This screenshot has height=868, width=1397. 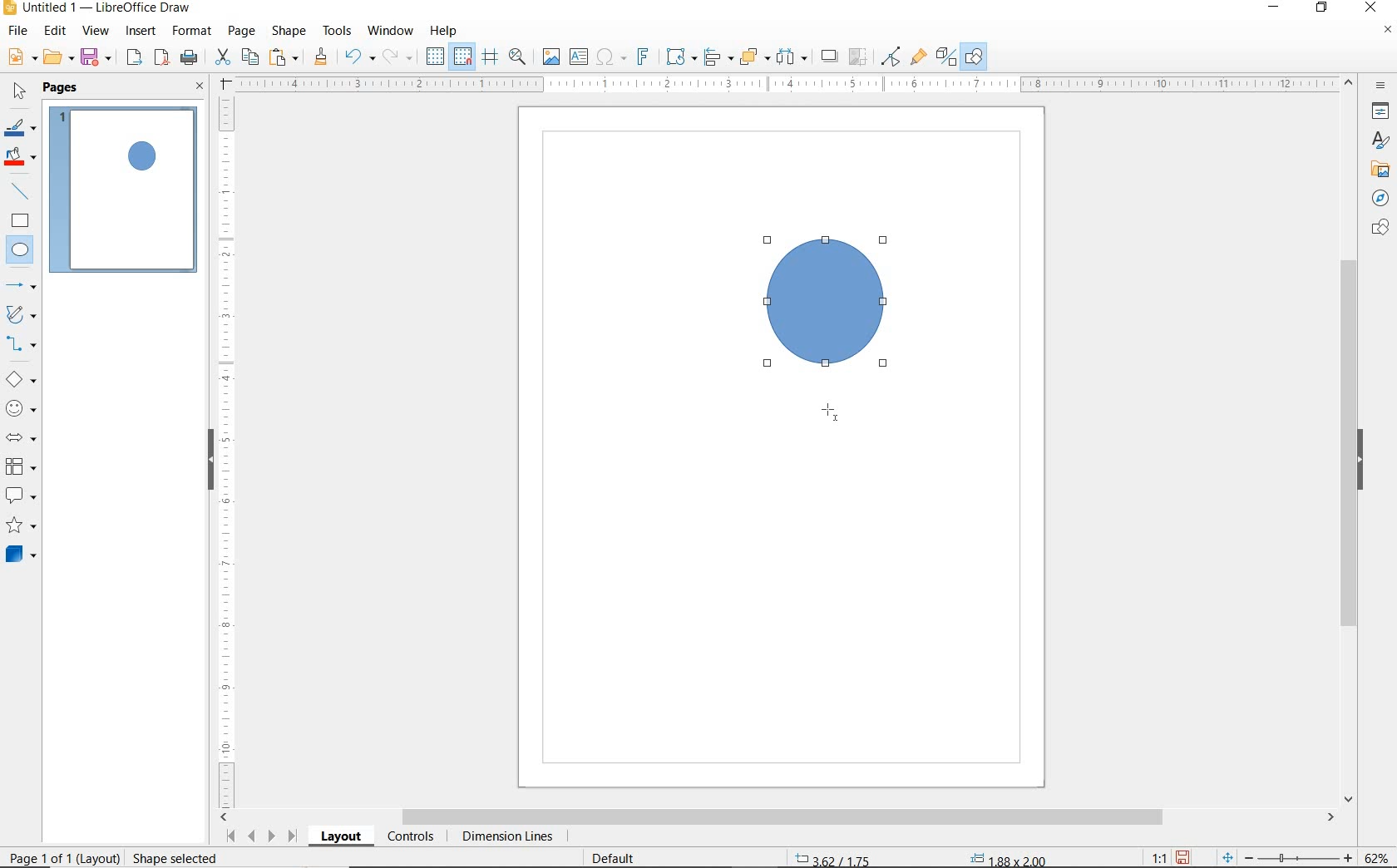 What do you see at coordinates (1322, 8) in the screenshot?
I see `RESTORE DOWN` at bounding box center [1322, 8].